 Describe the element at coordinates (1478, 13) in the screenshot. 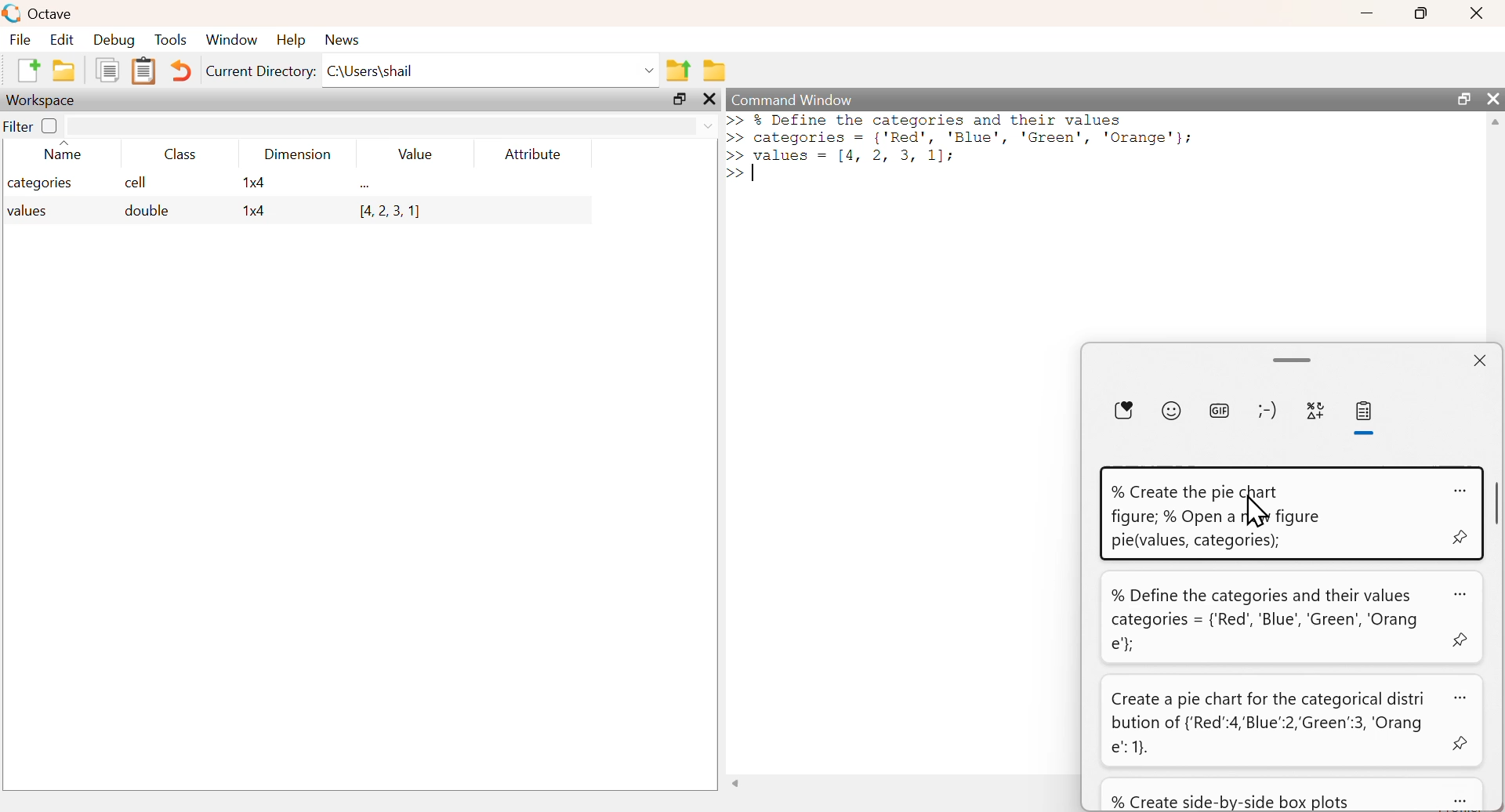

I see `close` at that location.